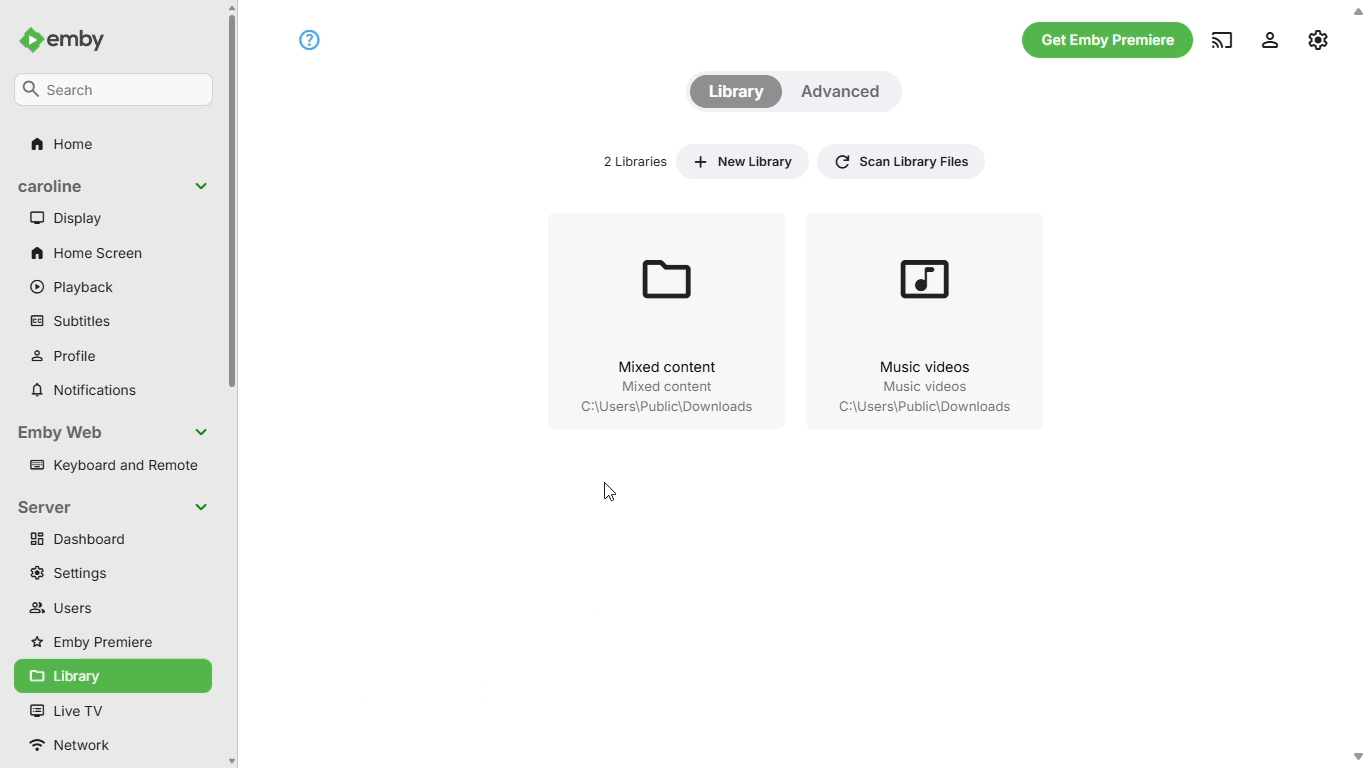  What do you see at coordinates (201, 432) in the screenshot?
I see `toggle collapse` at bounding box center [201, 432].